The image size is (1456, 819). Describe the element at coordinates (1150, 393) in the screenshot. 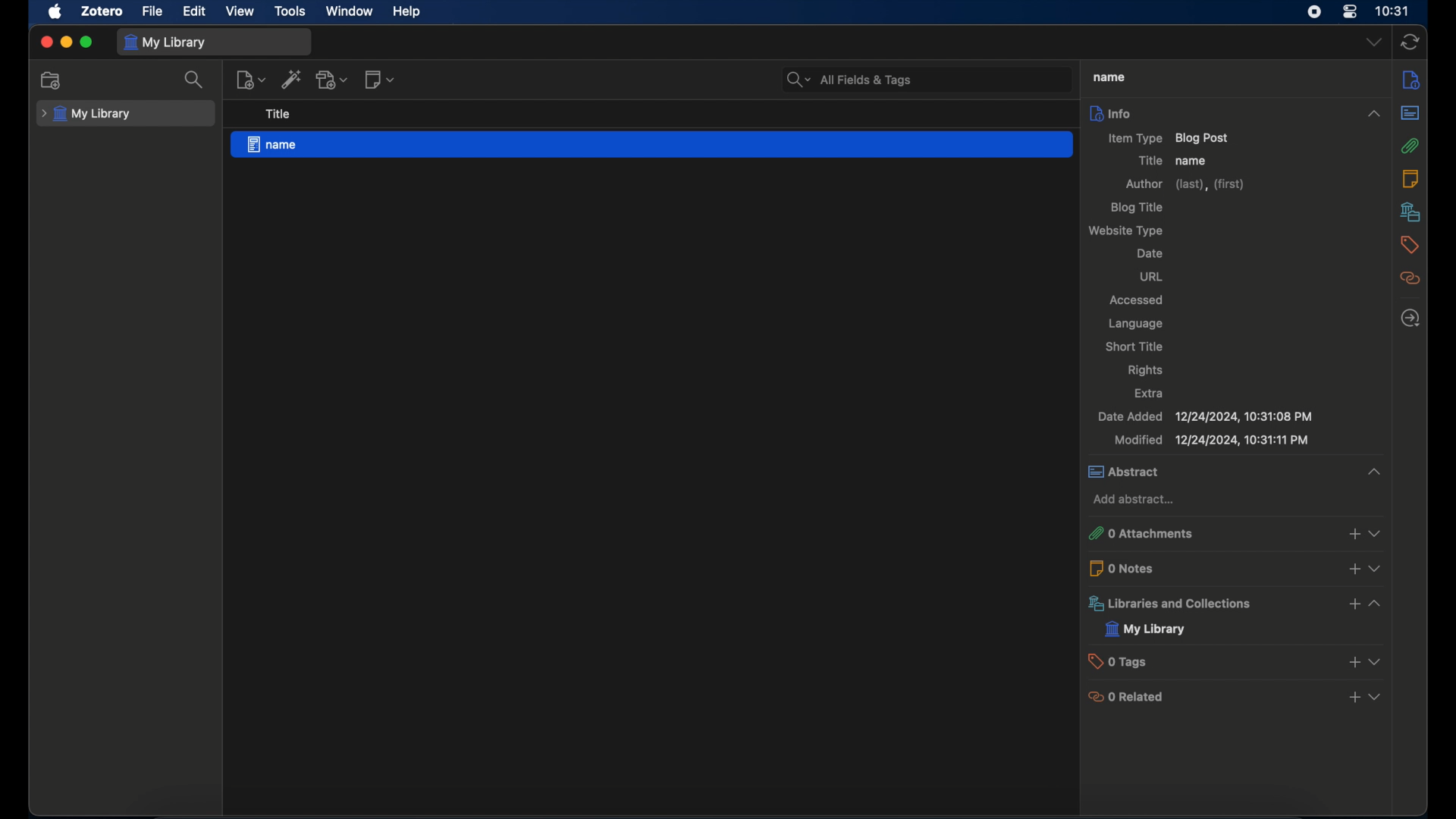

I see `extra` at that location.